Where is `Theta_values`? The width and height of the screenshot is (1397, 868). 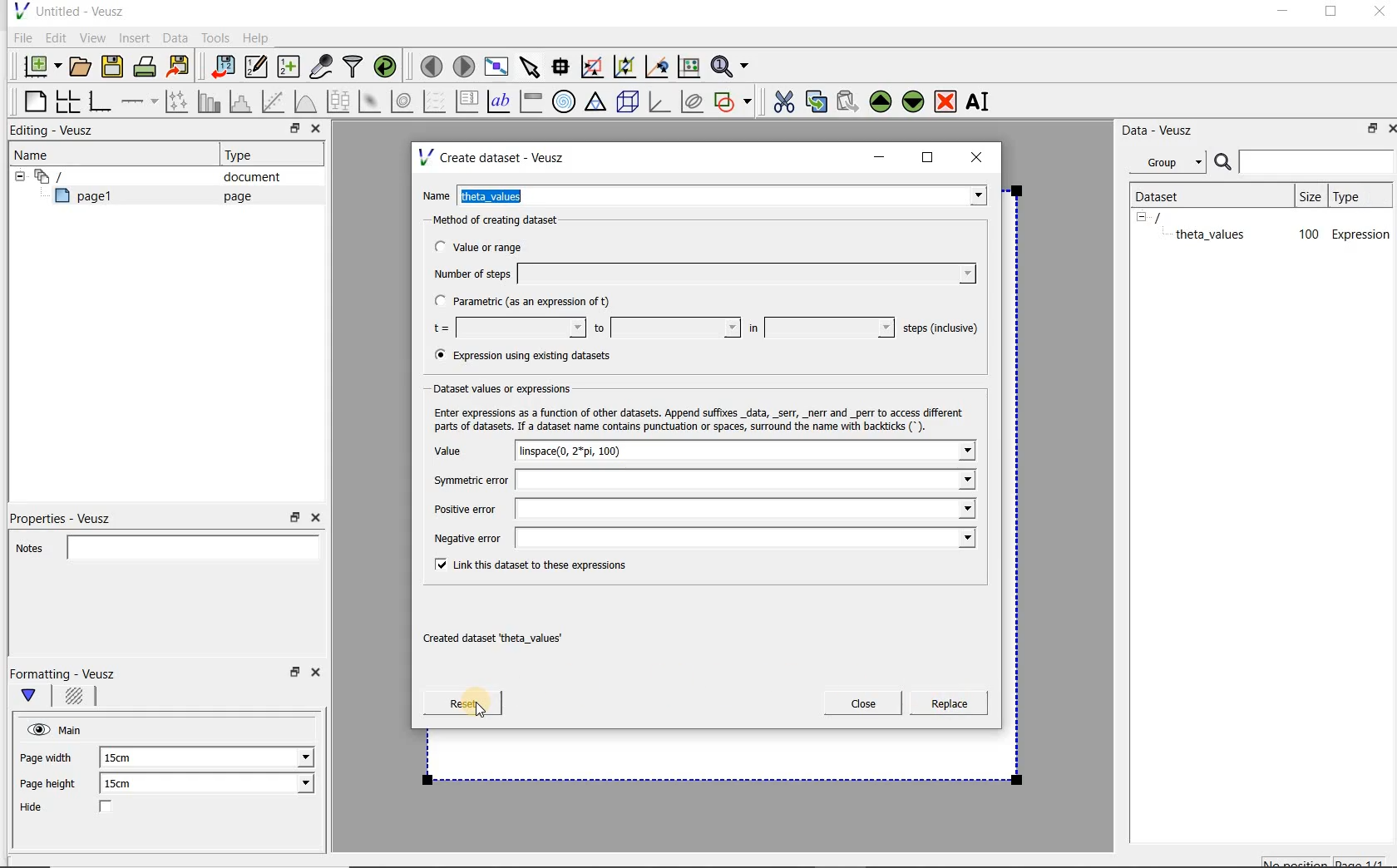
Theta_values is located at coordinates (726, 198).